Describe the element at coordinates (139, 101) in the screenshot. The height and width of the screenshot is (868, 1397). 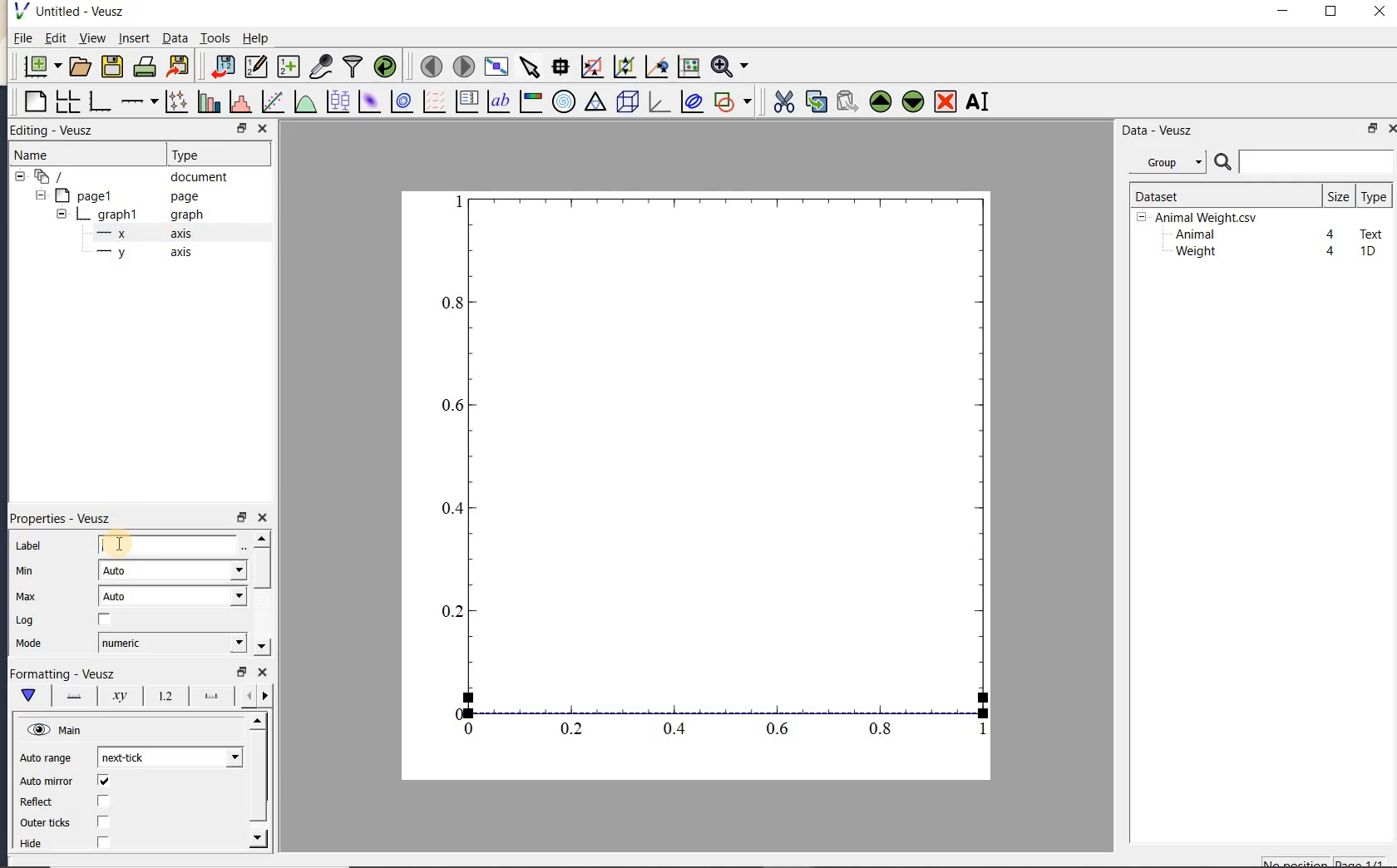
I see `add an axis to the plot` at that location.